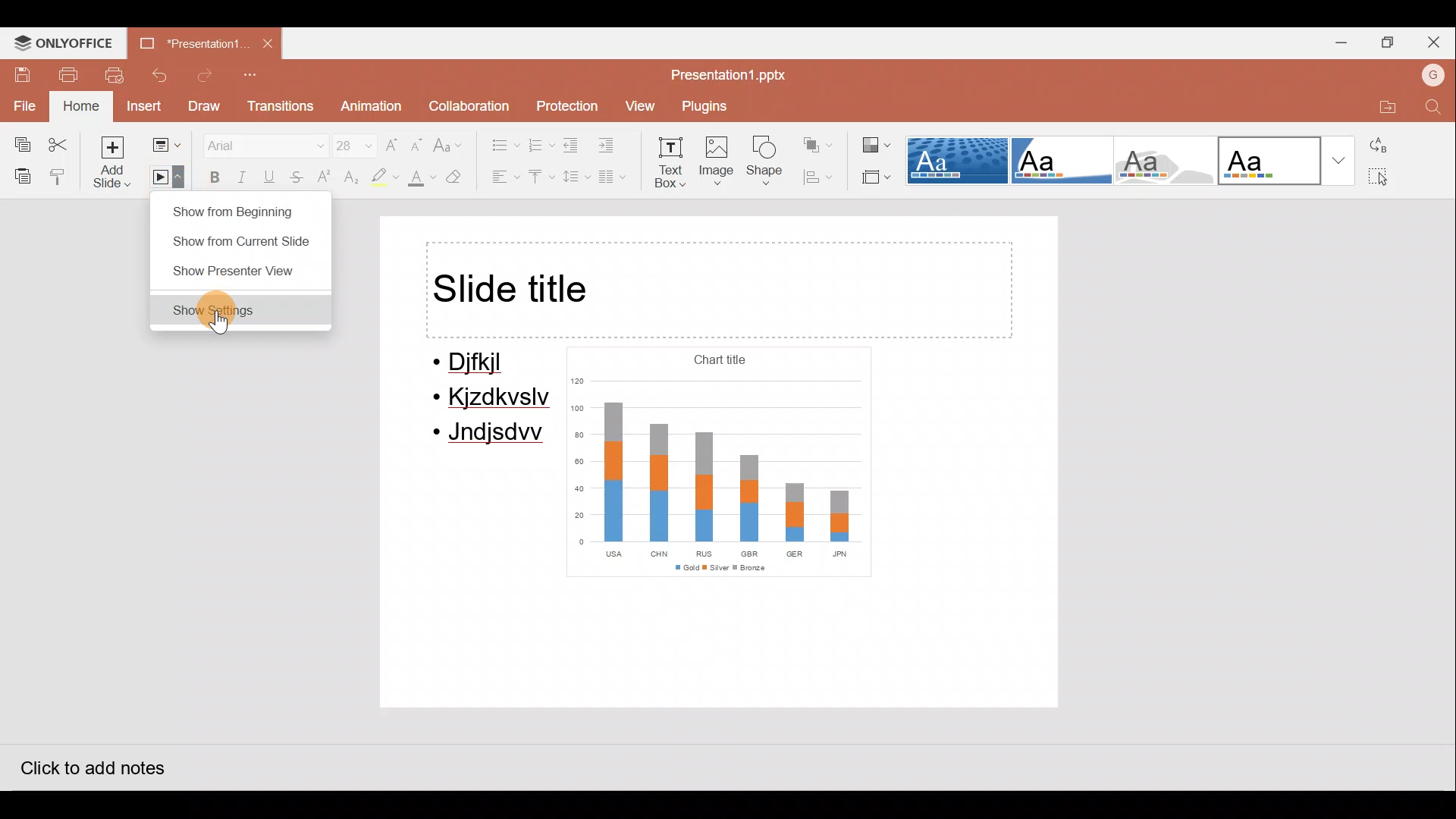 The image size is (1456, 819). I want to click on Align shape, so click(817, 177).